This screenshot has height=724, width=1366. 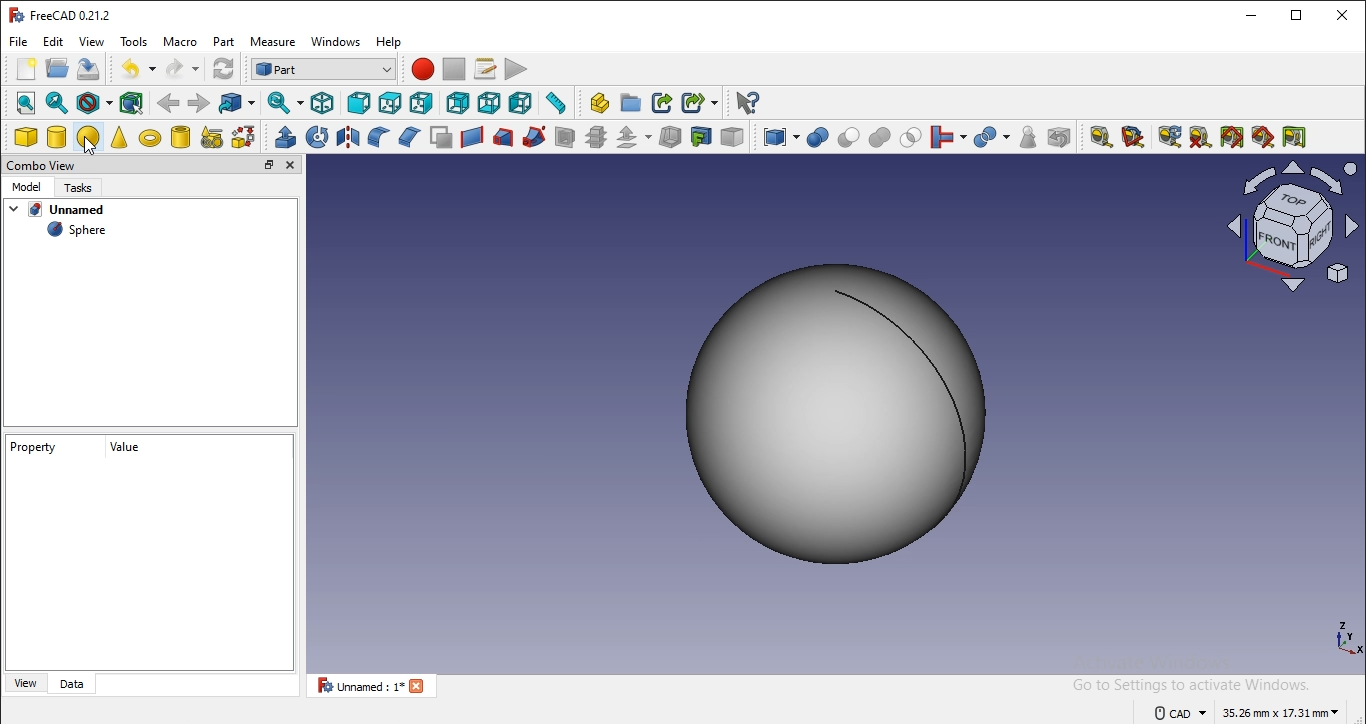 What do you see at coordinates (1248, 15) in the screenshot?
I see `minimize` at bounding box center [1248, 15].